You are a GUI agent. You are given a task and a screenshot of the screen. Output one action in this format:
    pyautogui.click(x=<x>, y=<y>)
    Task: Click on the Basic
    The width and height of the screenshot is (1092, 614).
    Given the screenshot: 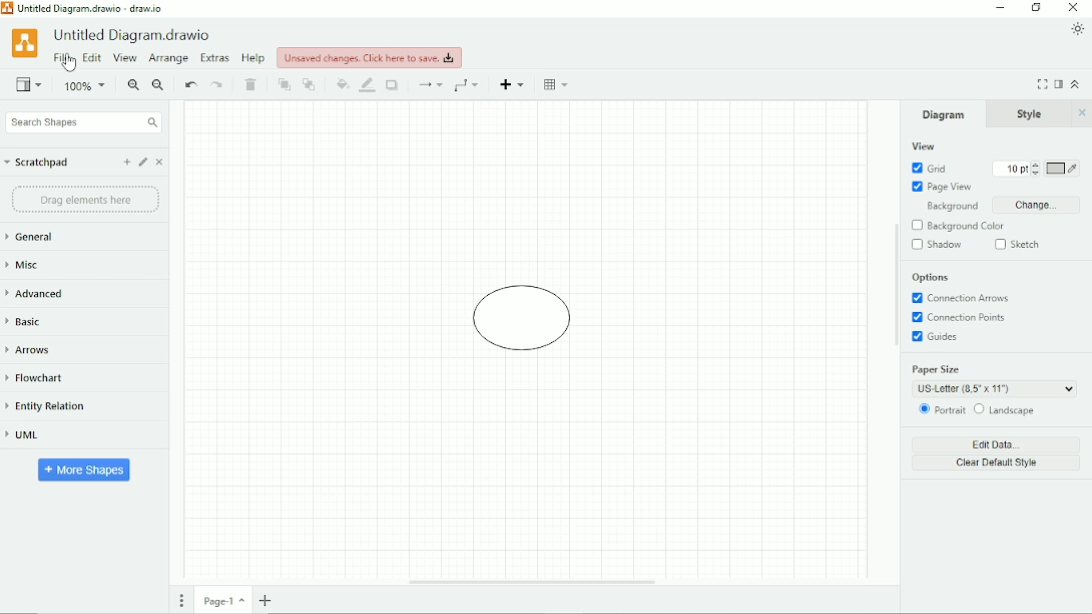 What is the action you would take?
    pyautogui.click(x=29, y=321)
    